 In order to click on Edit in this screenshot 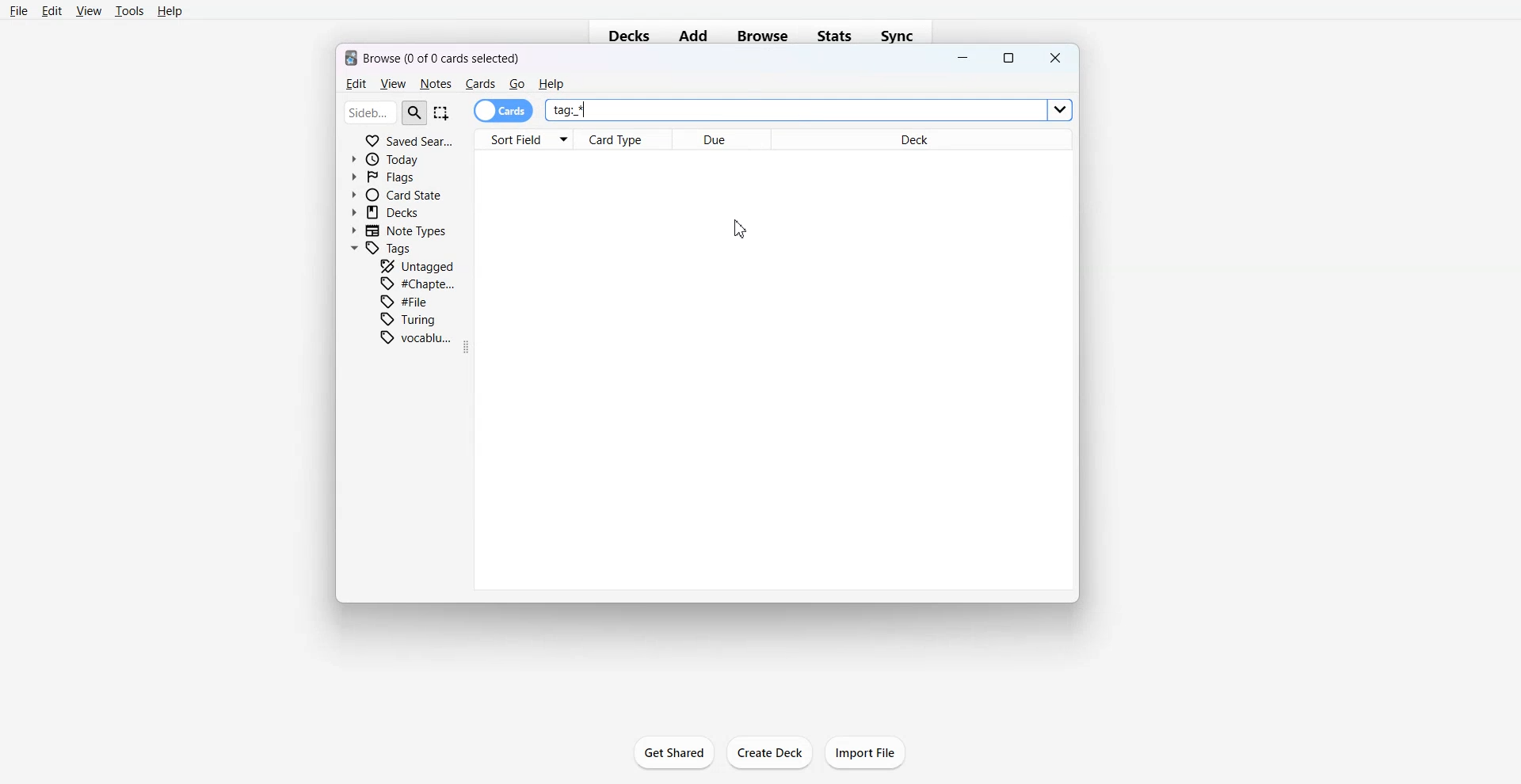, I will do `click(52, 10)`.